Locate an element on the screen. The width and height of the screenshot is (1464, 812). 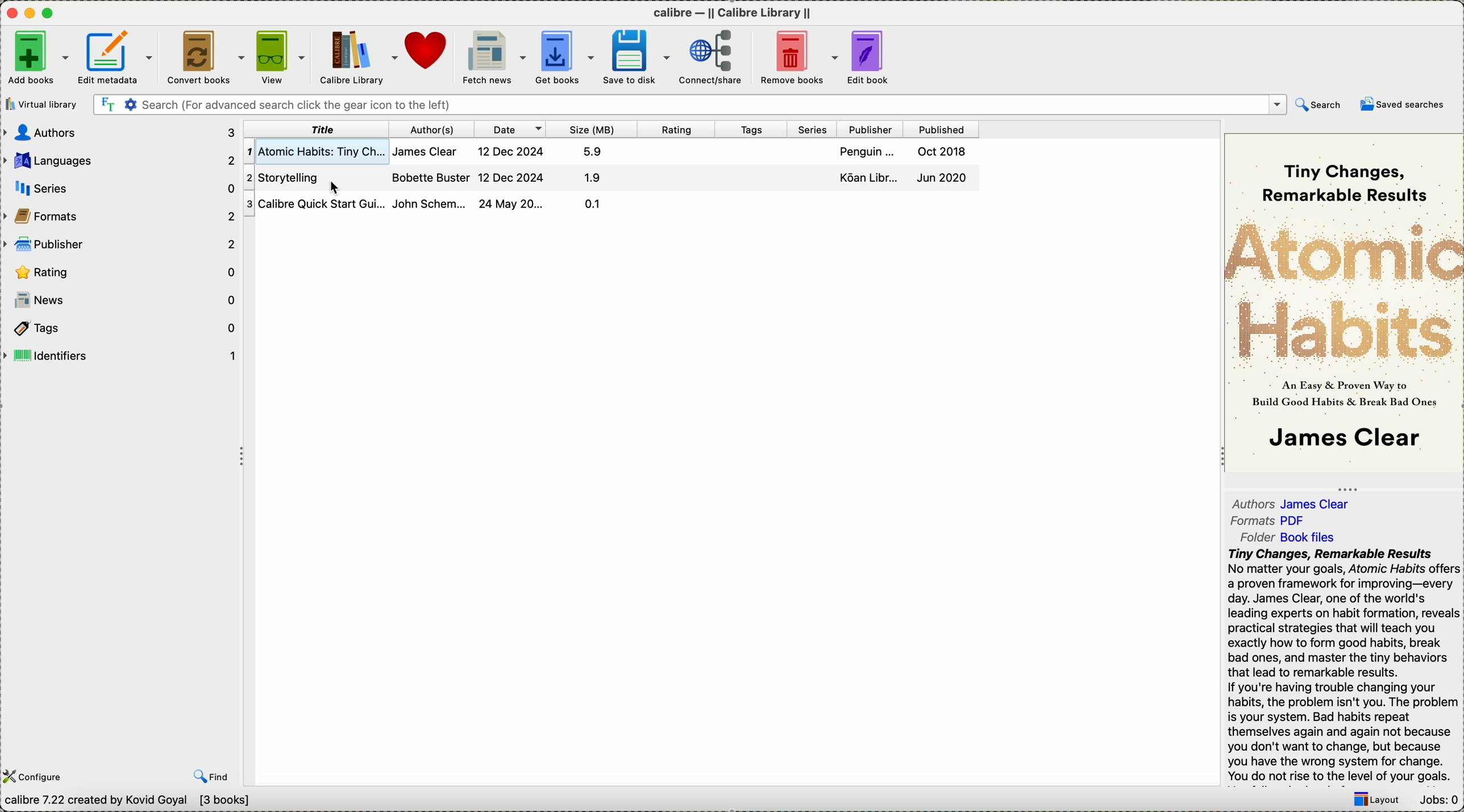
tags is located at coordinates (120, 328).